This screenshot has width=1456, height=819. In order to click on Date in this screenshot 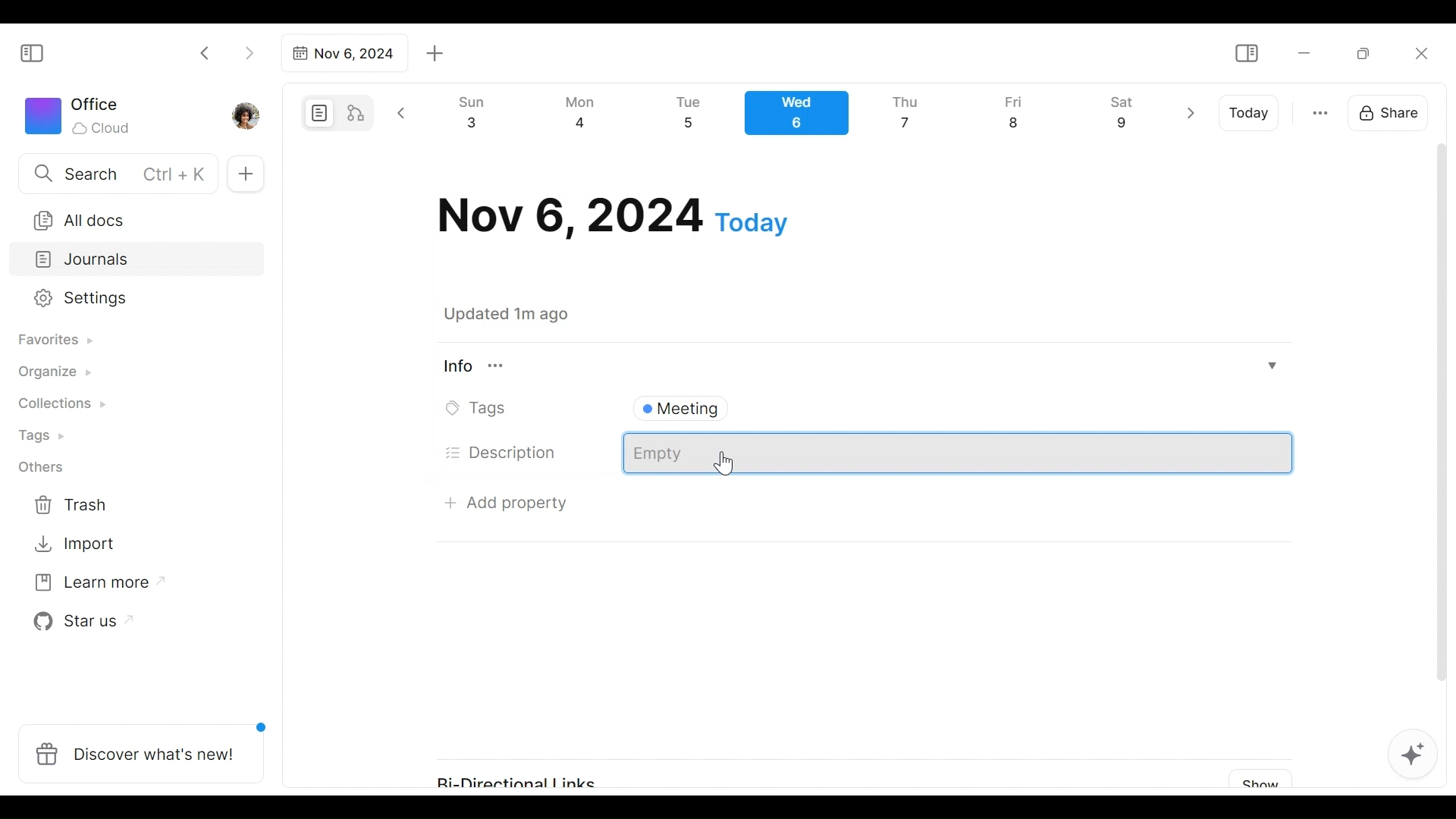, I will do `click(613, 216)`.